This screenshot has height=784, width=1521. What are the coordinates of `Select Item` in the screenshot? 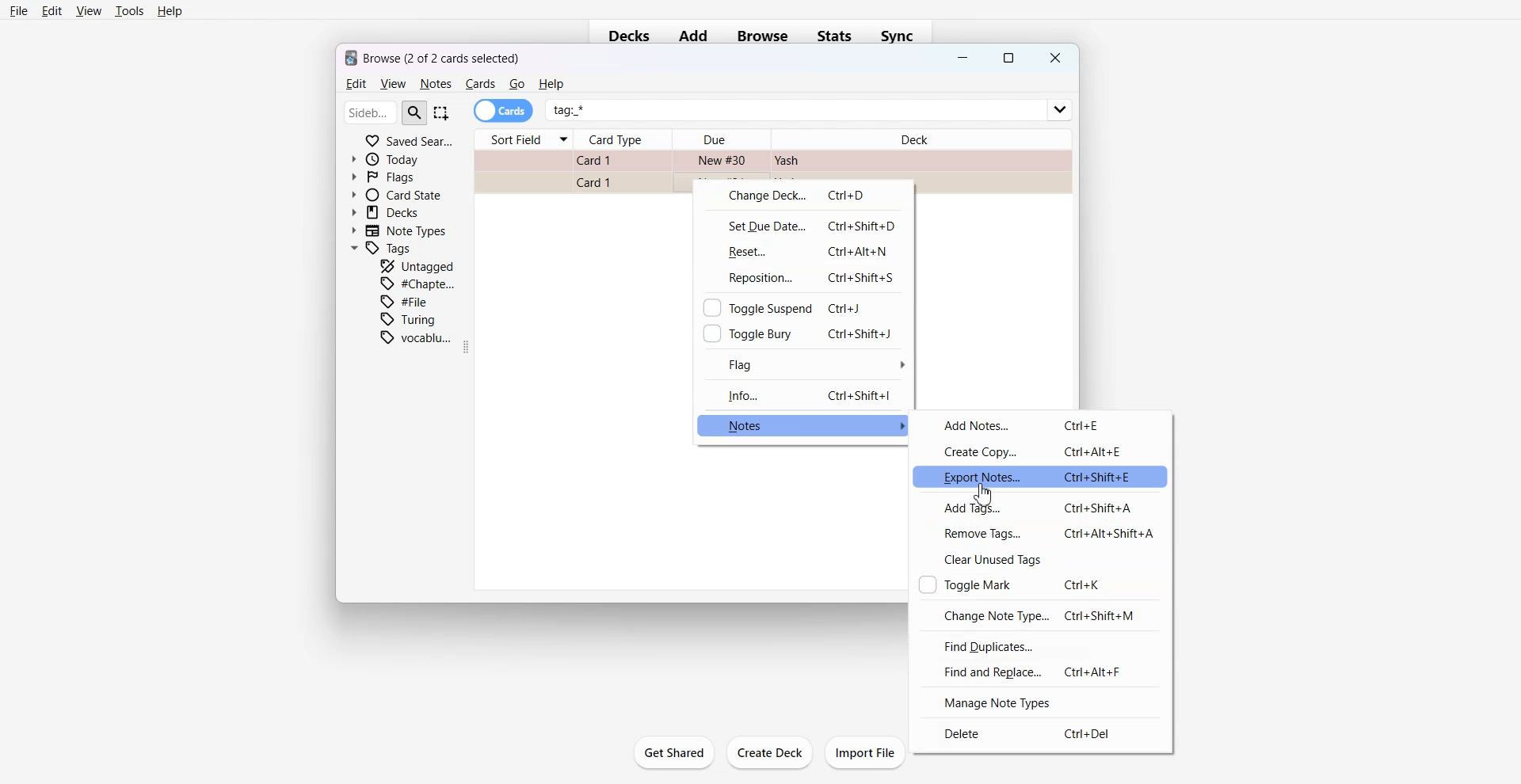 It's located at (443, 112).